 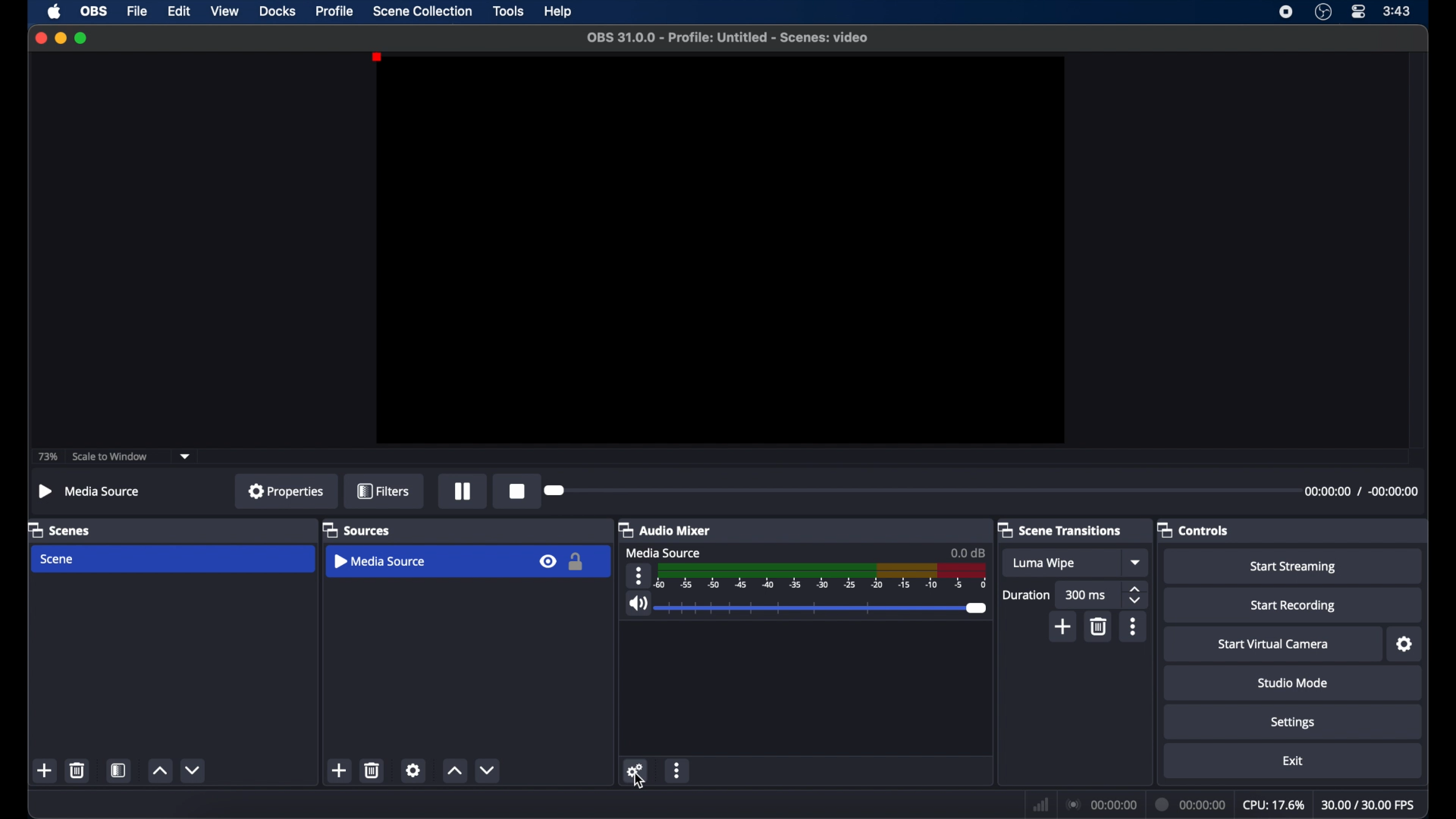 What do you see at coordinates (46, 457) in the screenshot?
I see `73%` at bounding box center [46, 457].